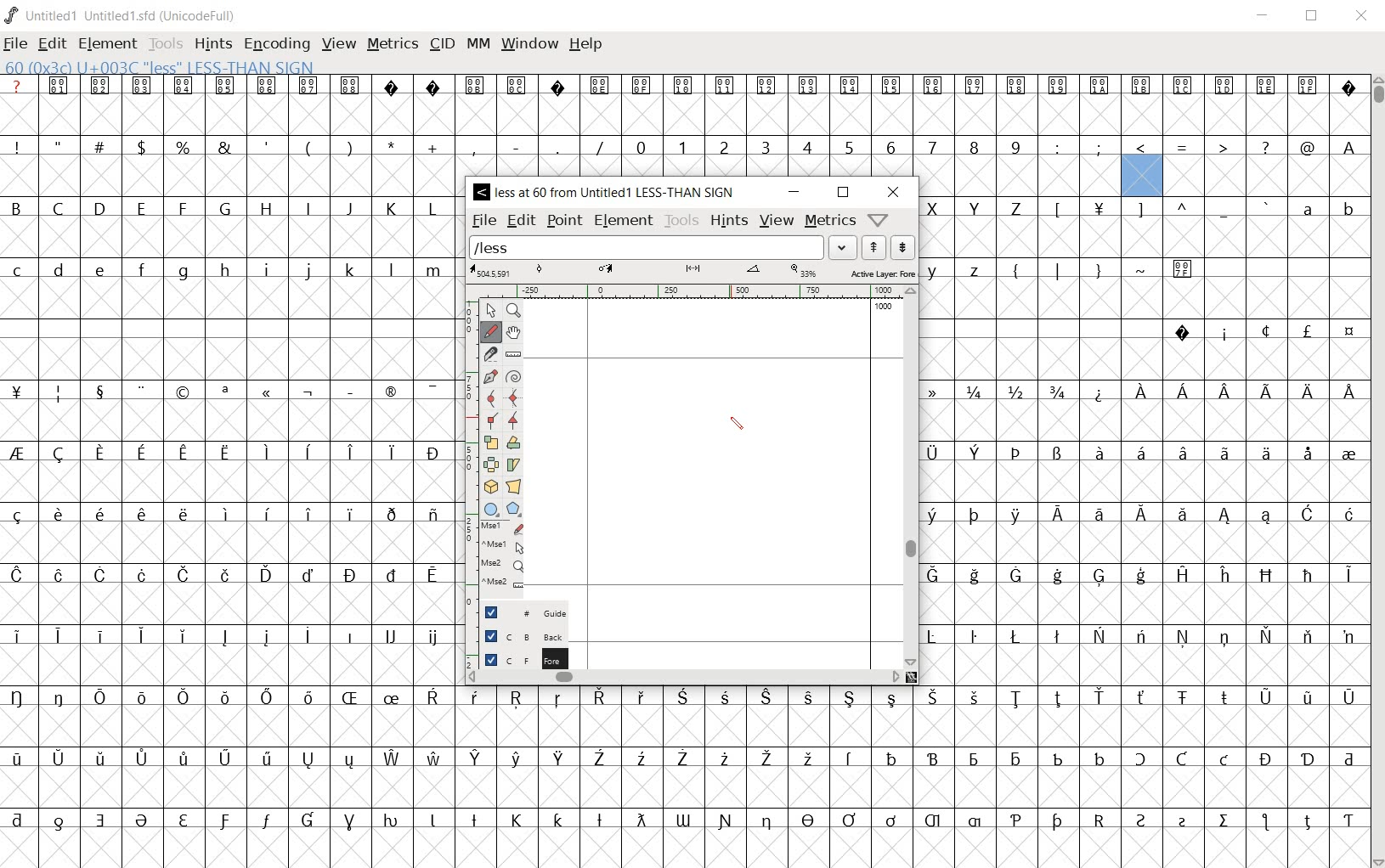  What do you see at coordinates (339, 44) in the screenshot?
I see `view` at bounding box center [339, 44].